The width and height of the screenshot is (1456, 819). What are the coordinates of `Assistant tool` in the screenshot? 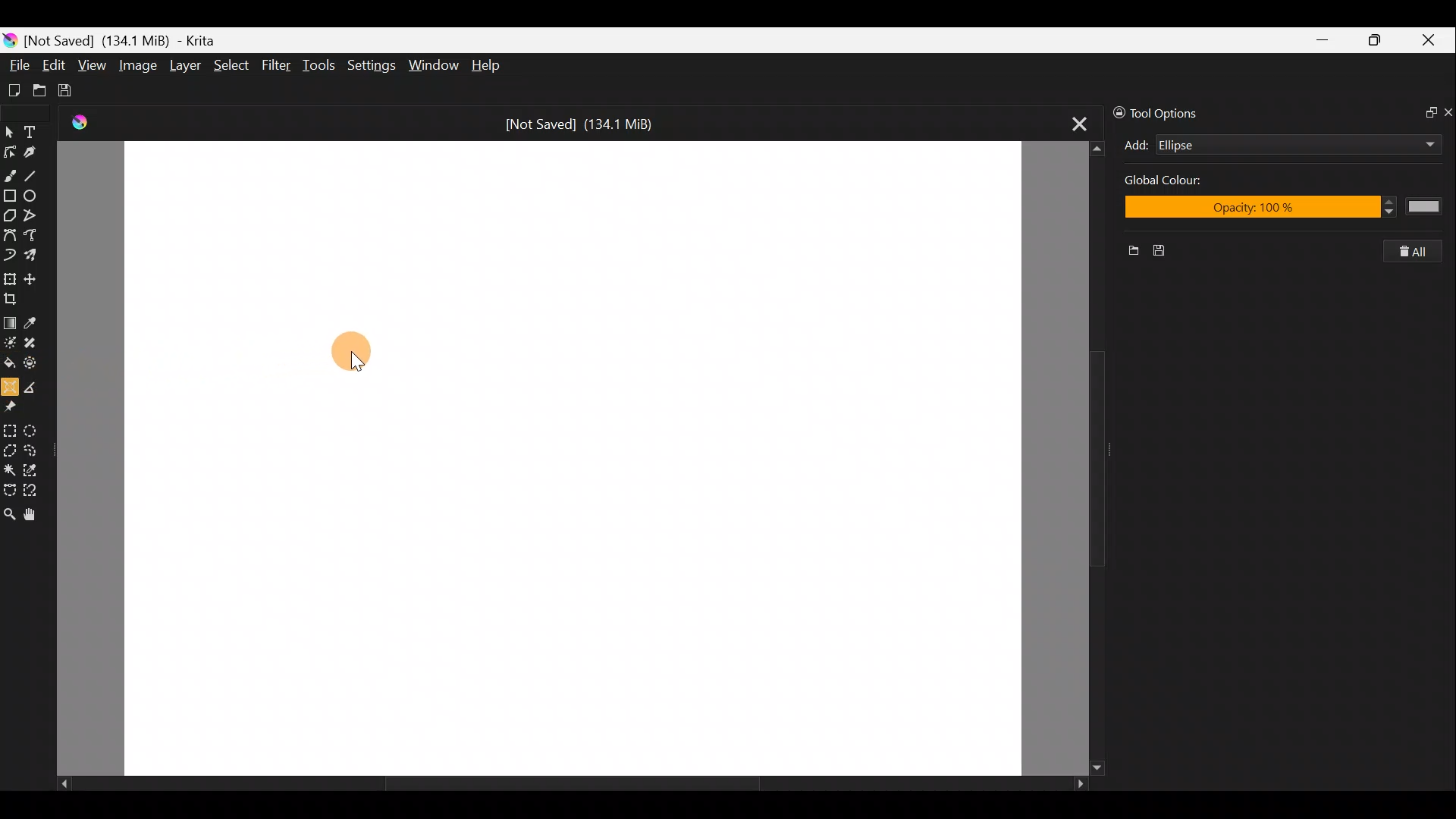 It's located at (10, 385).